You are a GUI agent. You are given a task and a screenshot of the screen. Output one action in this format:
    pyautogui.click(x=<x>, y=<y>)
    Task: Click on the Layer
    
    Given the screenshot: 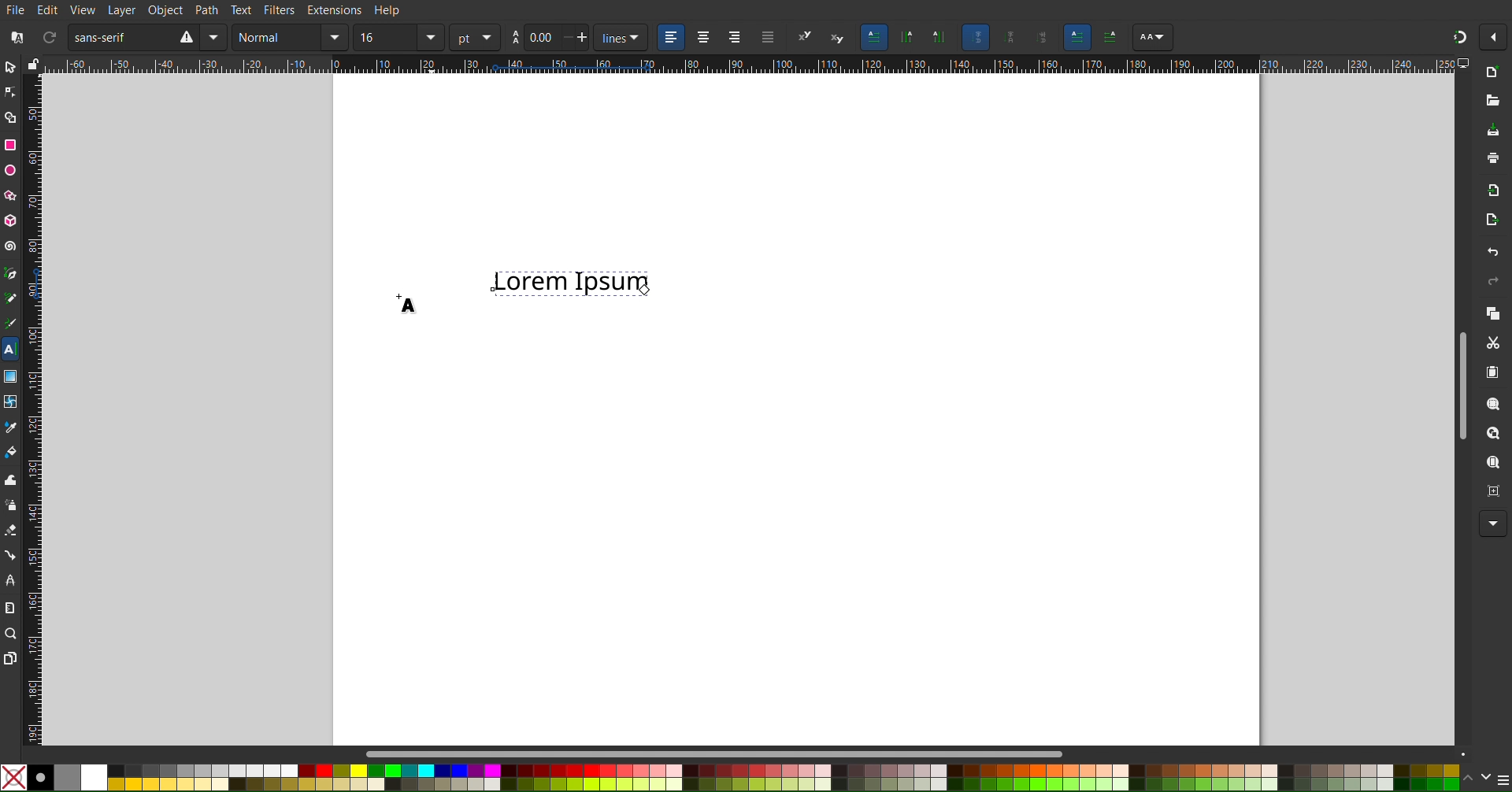 What is the action you would take?
    pyautogui.click(x=122, y=10)
    